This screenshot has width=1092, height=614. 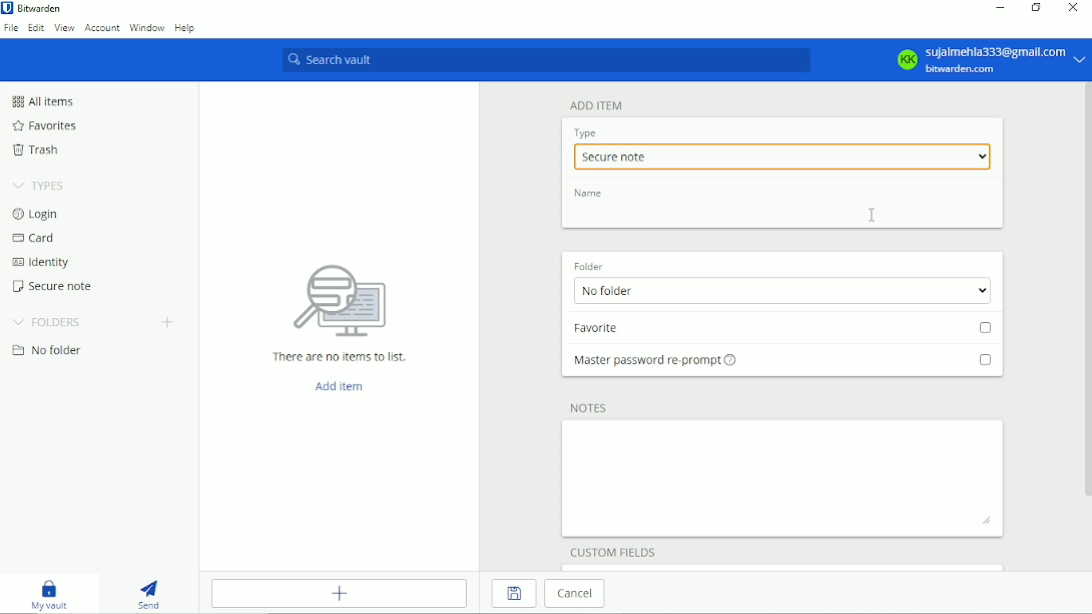 What do you see at coordinates (64, 28) in the screenshot?
I see `View` at bounding box center [64, 28].